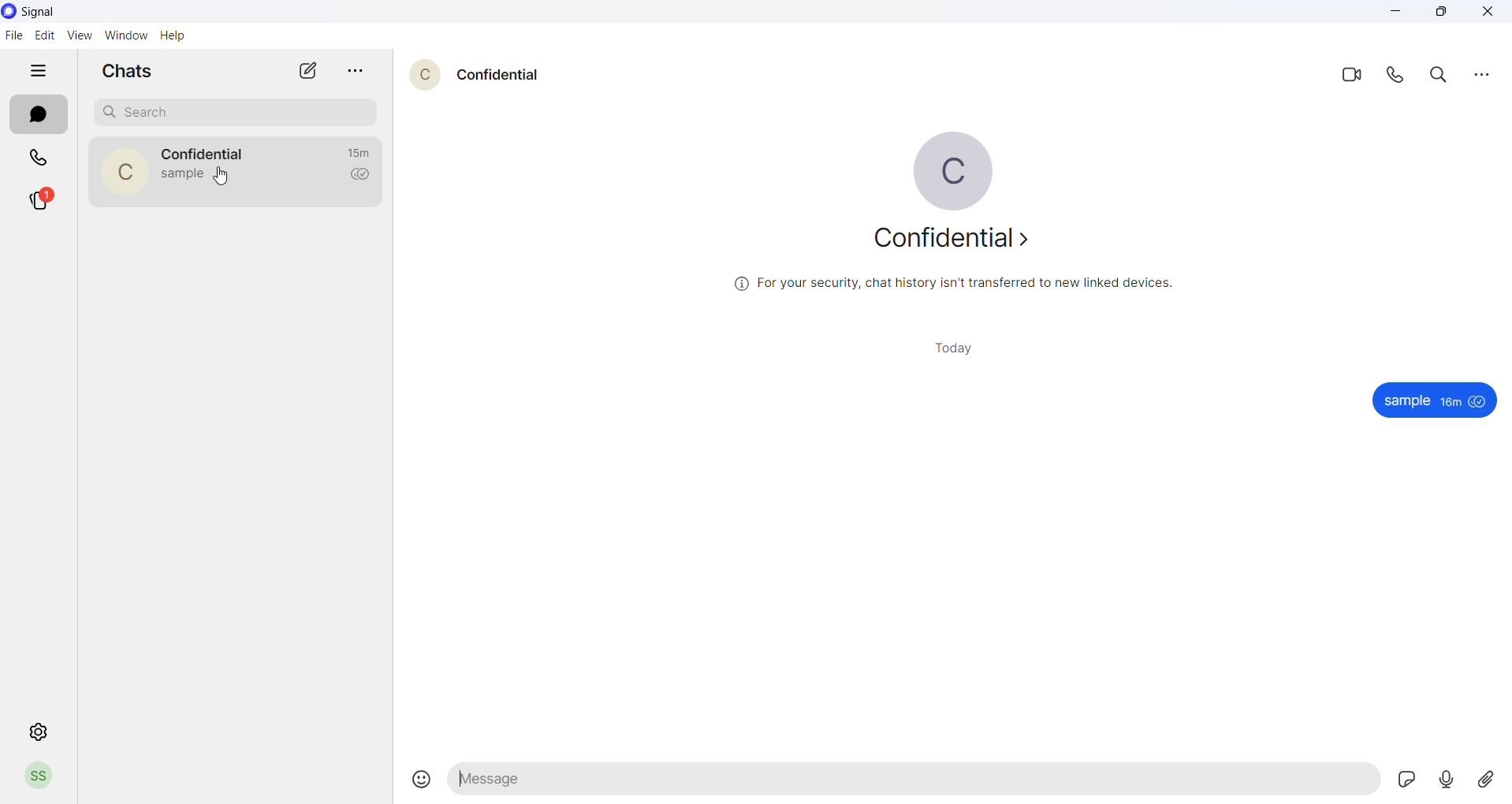 Image resolution: width=1512 pixels, height=804 pixels. I want to click on emoji, so click(421, 777).